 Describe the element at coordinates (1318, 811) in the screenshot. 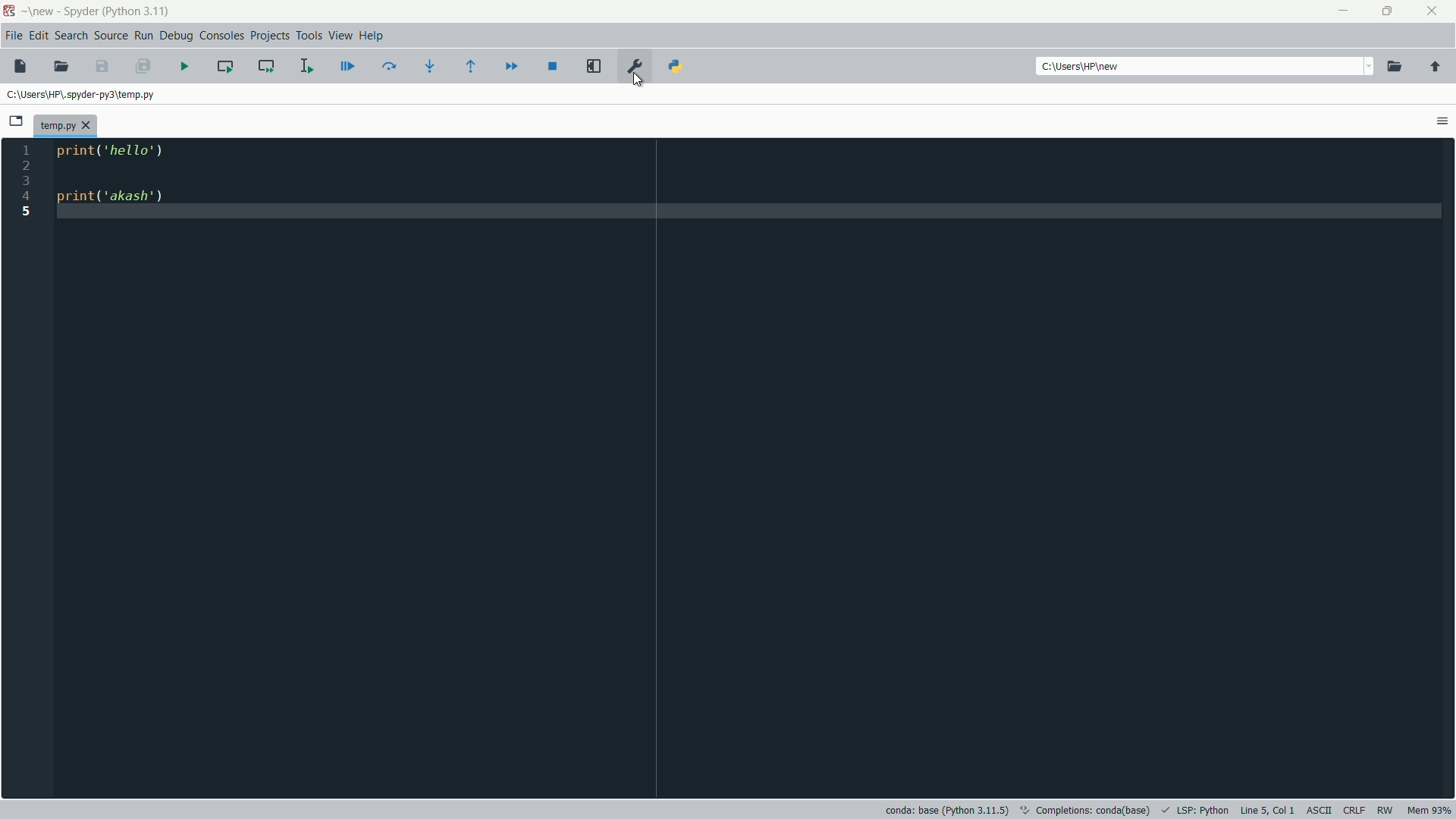

I see `file encoding` at that location.